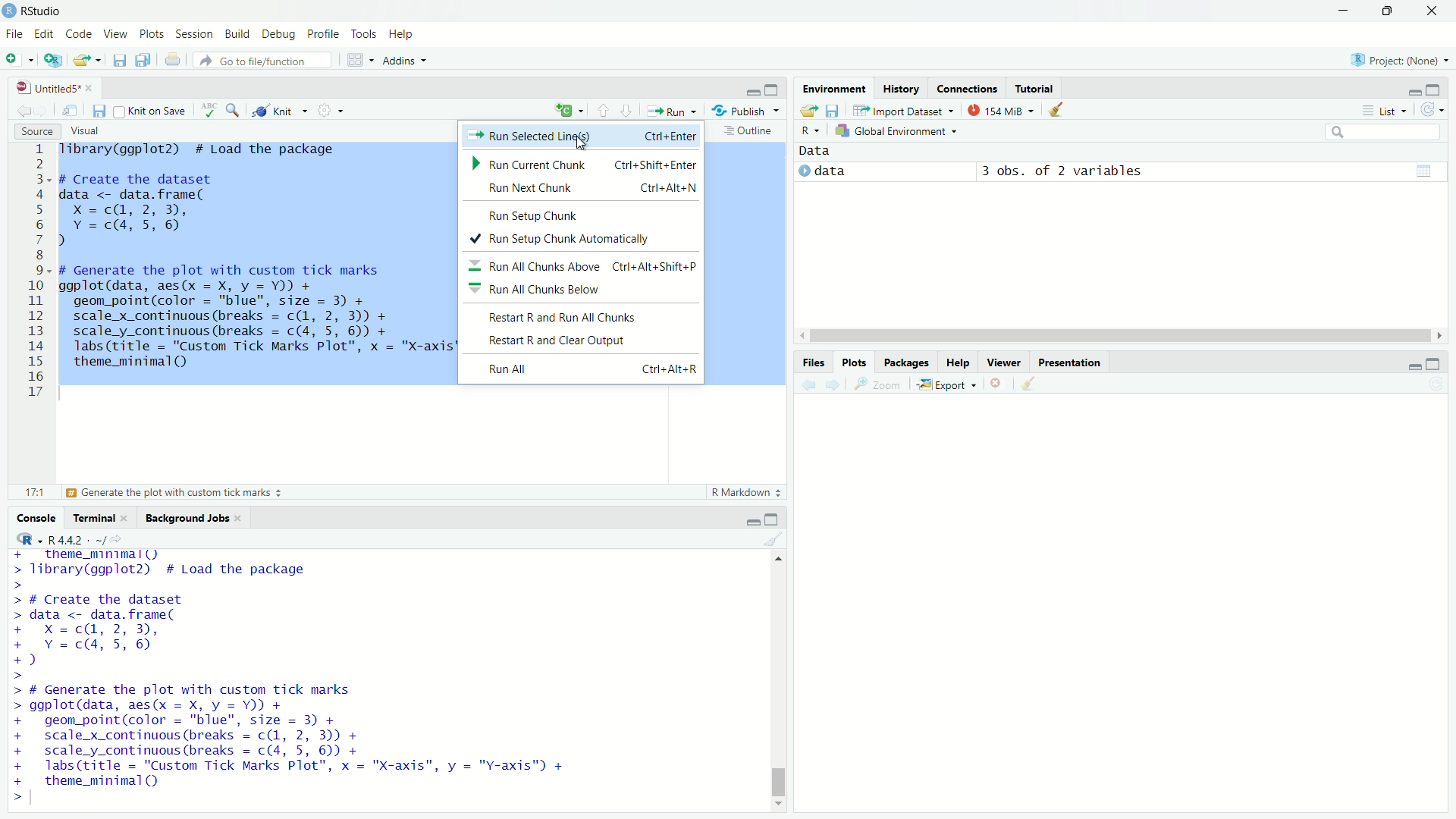  I want to click on export, so click(949, 385).